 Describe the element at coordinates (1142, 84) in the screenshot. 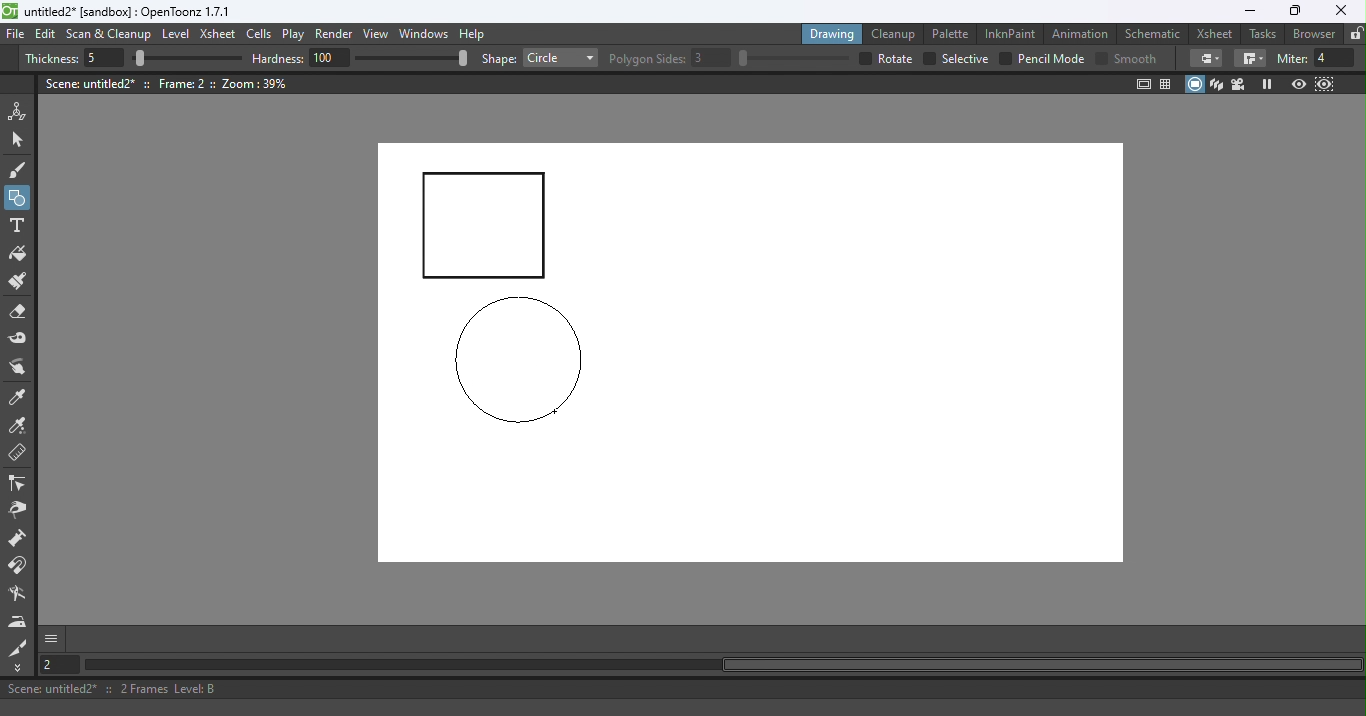

I see `Safe area` at that location.